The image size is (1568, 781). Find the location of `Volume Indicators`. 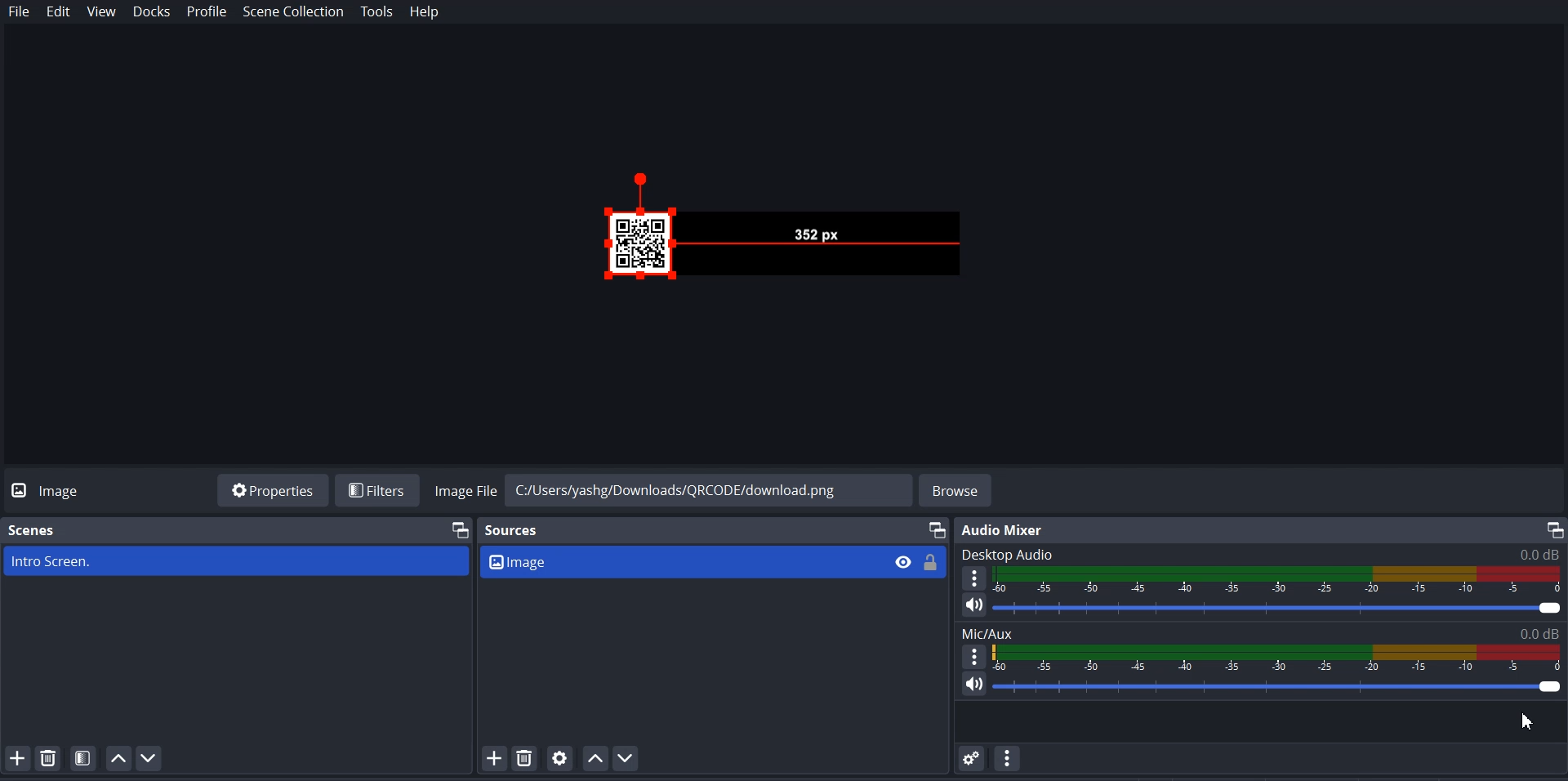

Volume Indicators is located at coordinates (1280, 580).